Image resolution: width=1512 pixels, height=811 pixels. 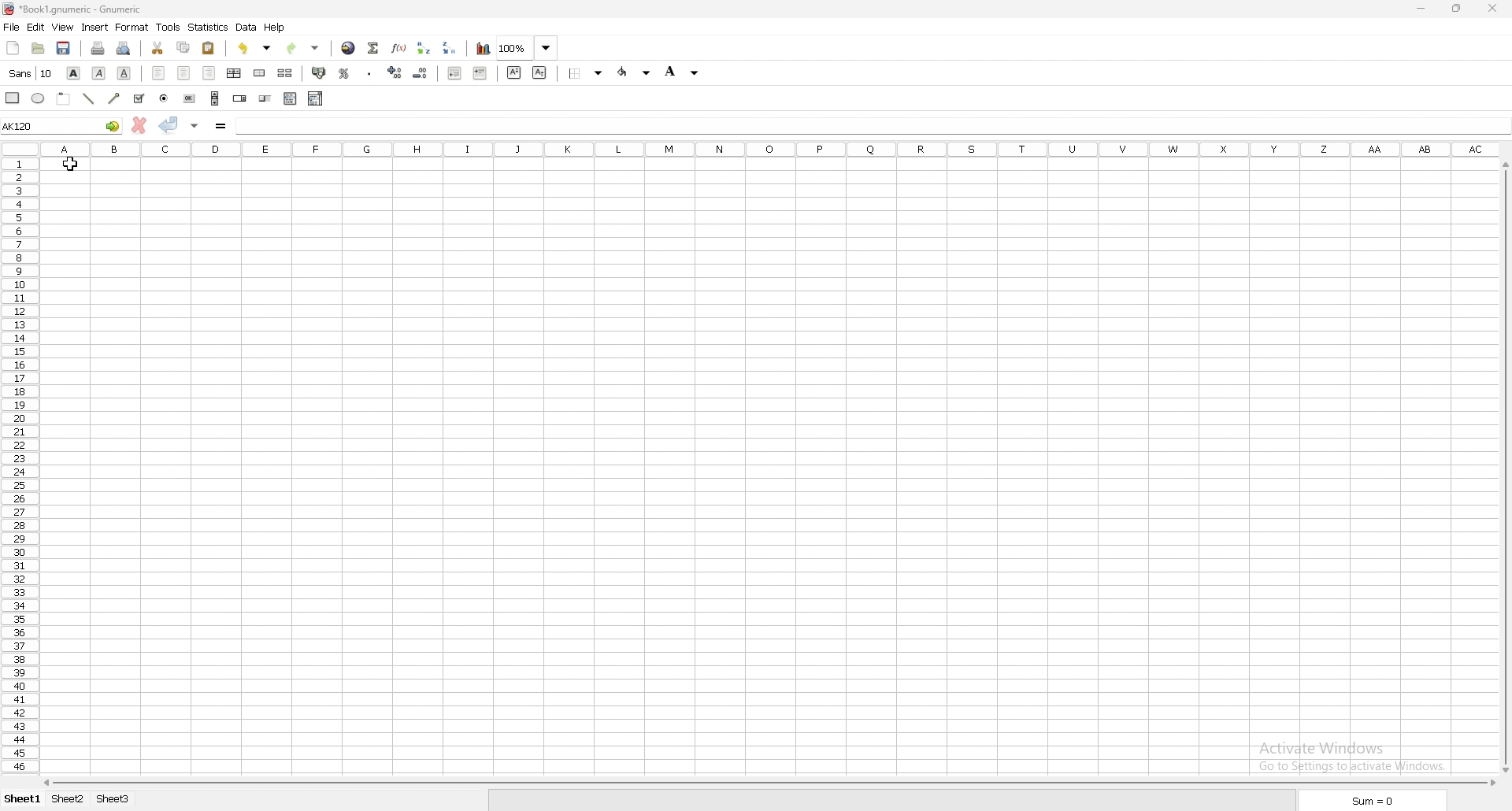 I want to click on chart, so click(x=484, y=49).